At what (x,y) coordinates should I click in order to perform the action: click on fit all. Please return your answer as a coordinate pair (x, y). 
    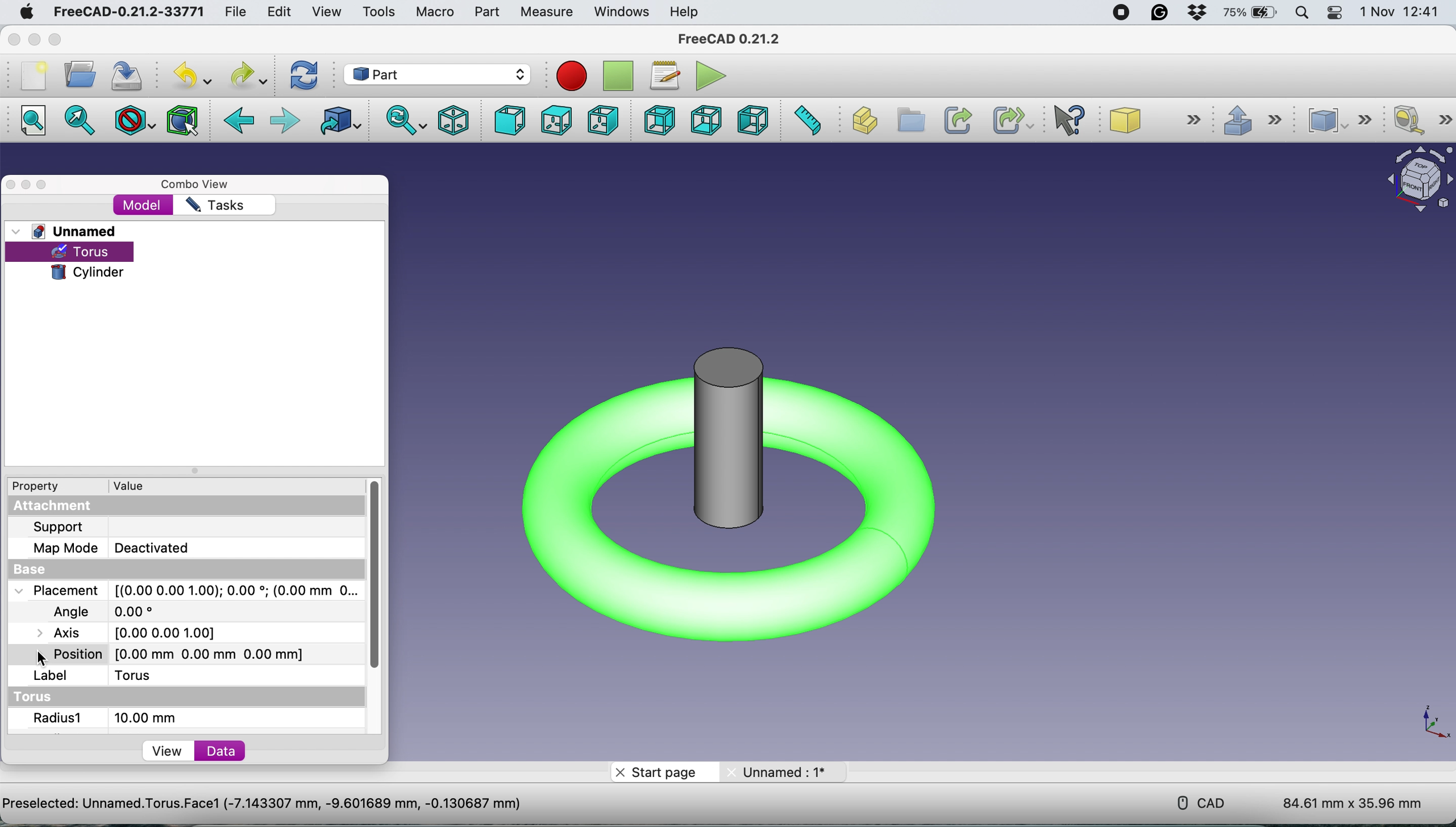
    Looking at the image, I should click on (30, 120).